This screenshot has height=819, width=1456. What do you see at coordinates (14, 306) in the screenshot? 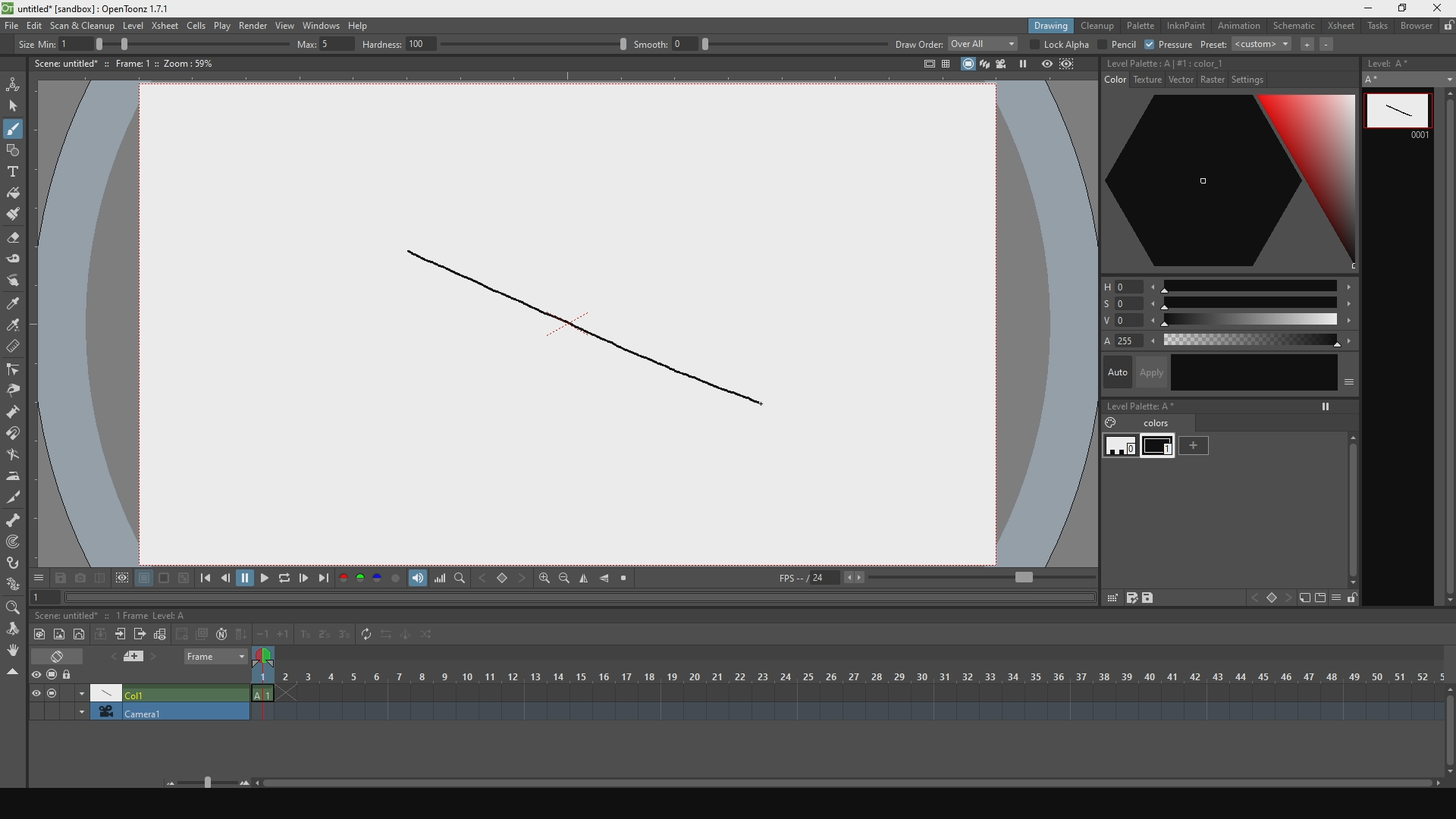
I see `style select` at bounding box center [14, 306].